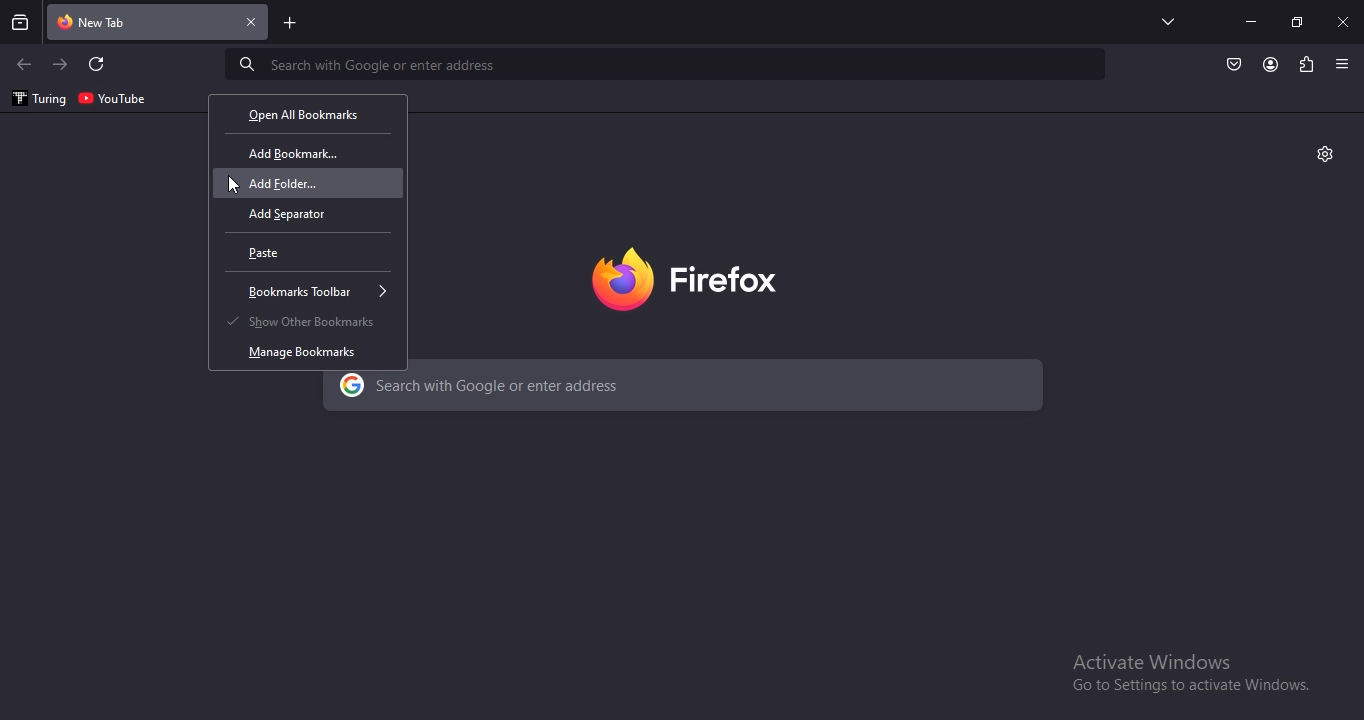 This screenshot has width=1364, height=720. Describe the element at coordinates (23, 65) in the screenshot. I see `click to go to previous page` at that location.